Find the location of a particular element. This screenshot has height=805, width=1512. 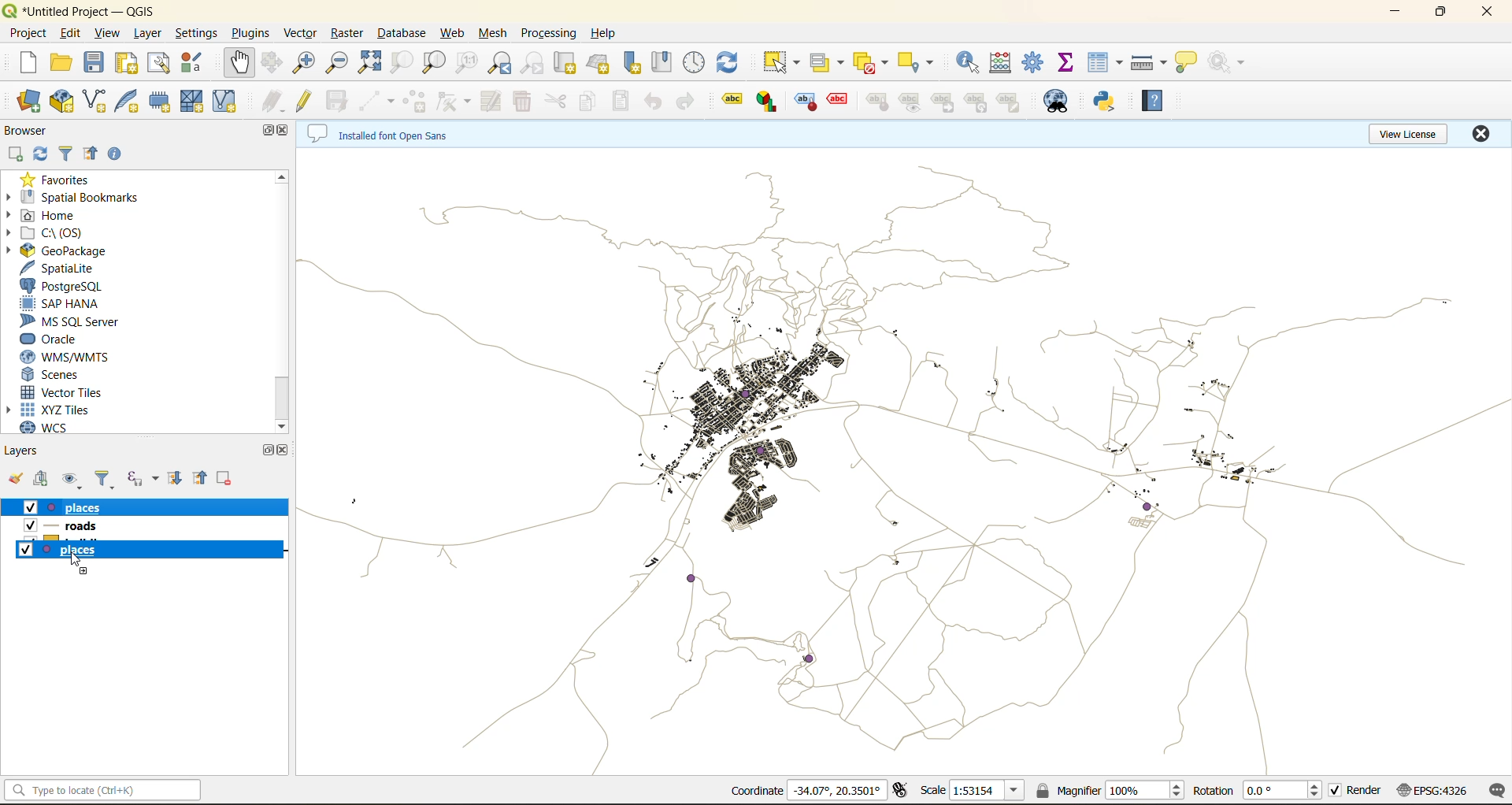

close is located at coordinates (1487, 12).